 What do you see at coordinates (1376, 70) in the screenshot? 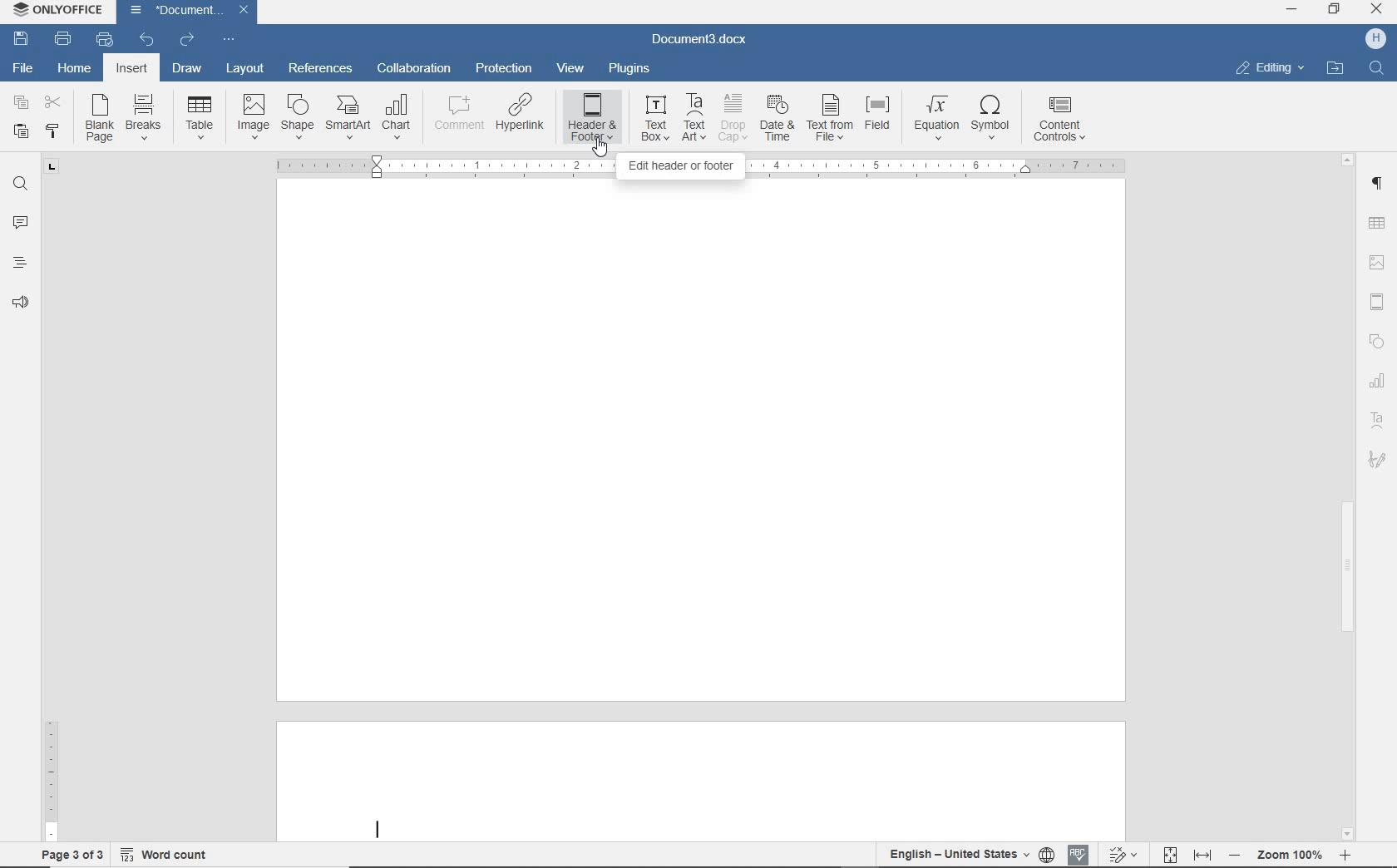
I see `FIND` at bounding box center [1376, 70].